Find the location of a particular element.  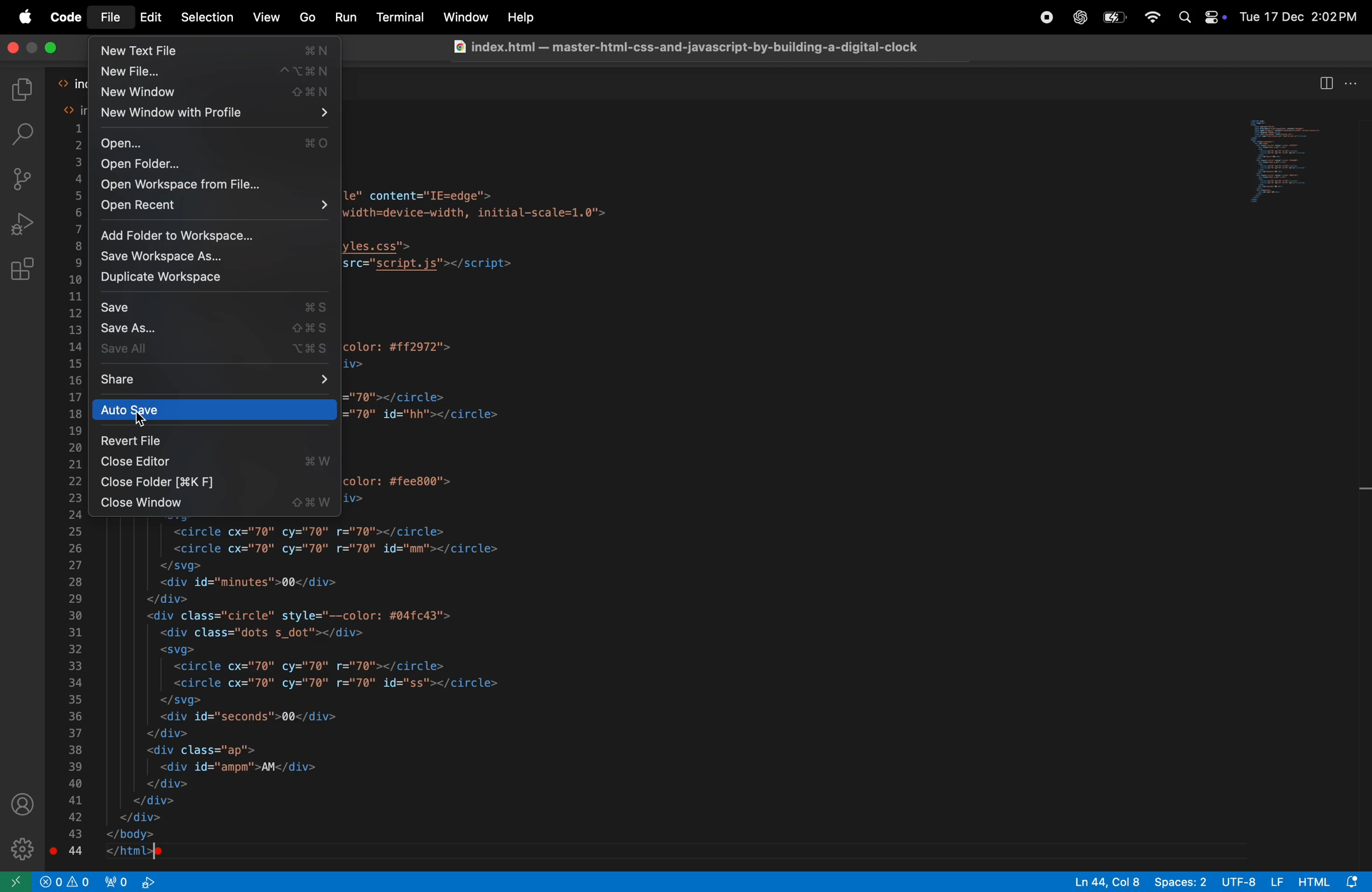

spaces 2 is located at coordinates (1180, 881).